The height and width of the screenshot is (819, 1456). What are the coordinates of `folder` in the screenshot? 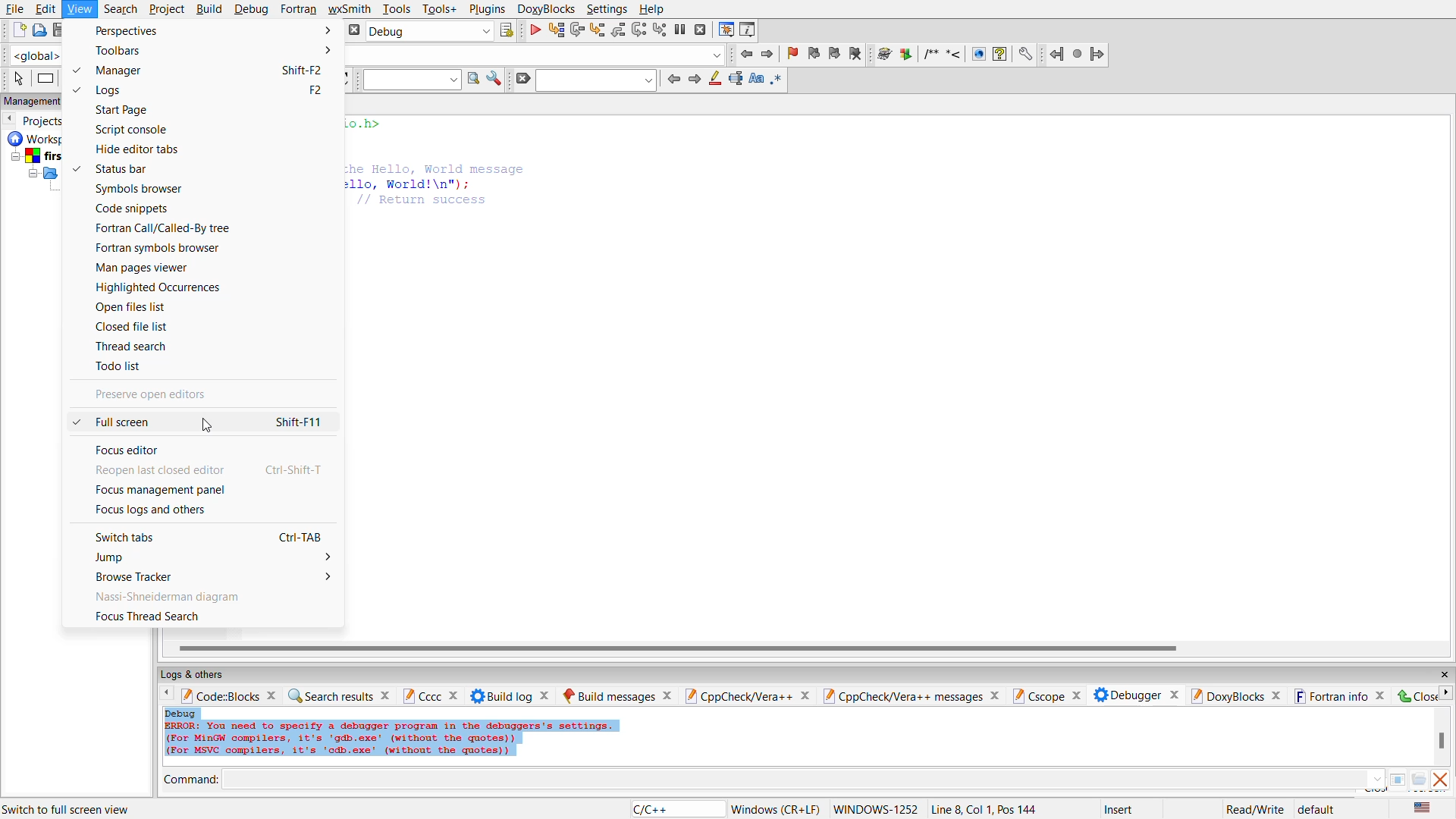 It's located at (1419, 782).